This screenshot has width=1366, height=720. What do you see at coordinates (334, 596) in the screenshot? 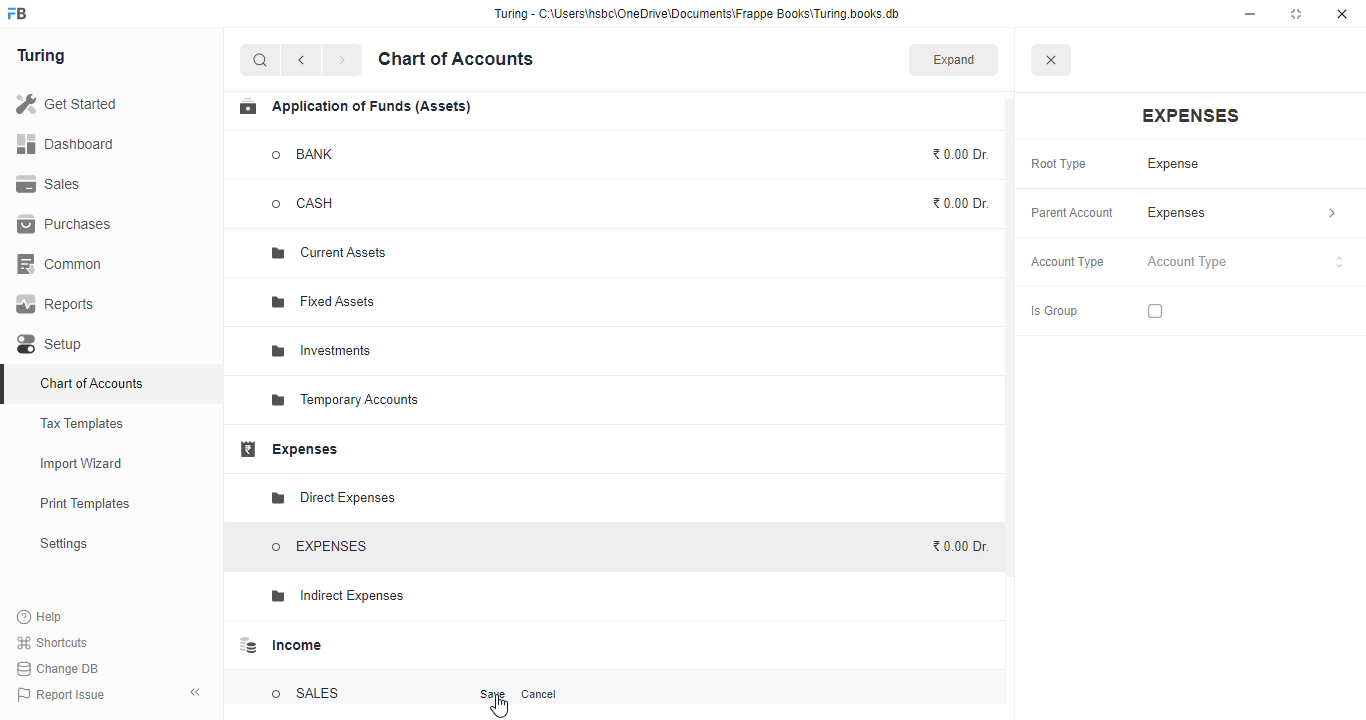
I see `indirect expenses` at bounding box center [334, 596].